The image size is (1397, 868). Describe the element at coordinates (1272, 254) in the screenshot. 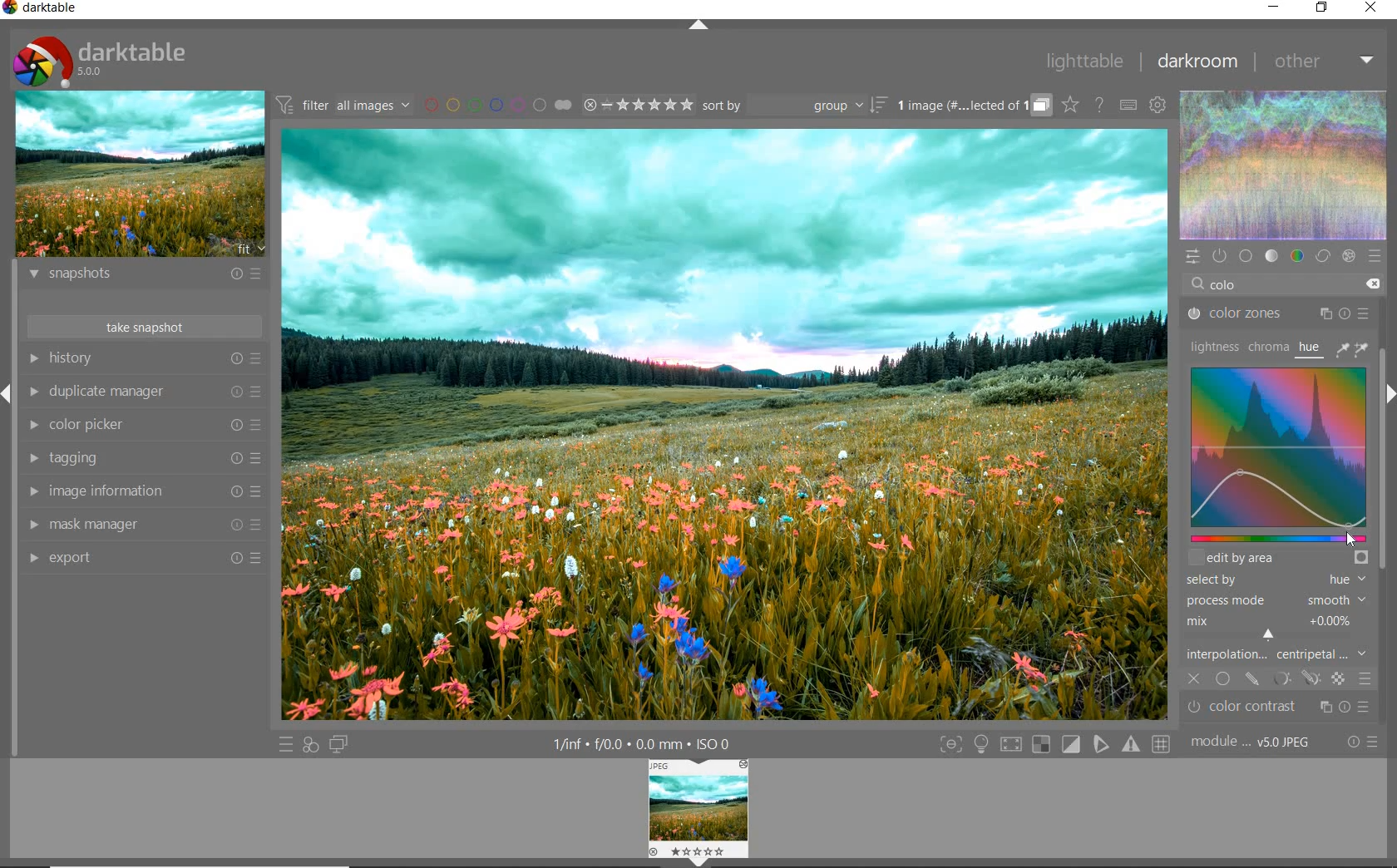

I see `tone` at that location.